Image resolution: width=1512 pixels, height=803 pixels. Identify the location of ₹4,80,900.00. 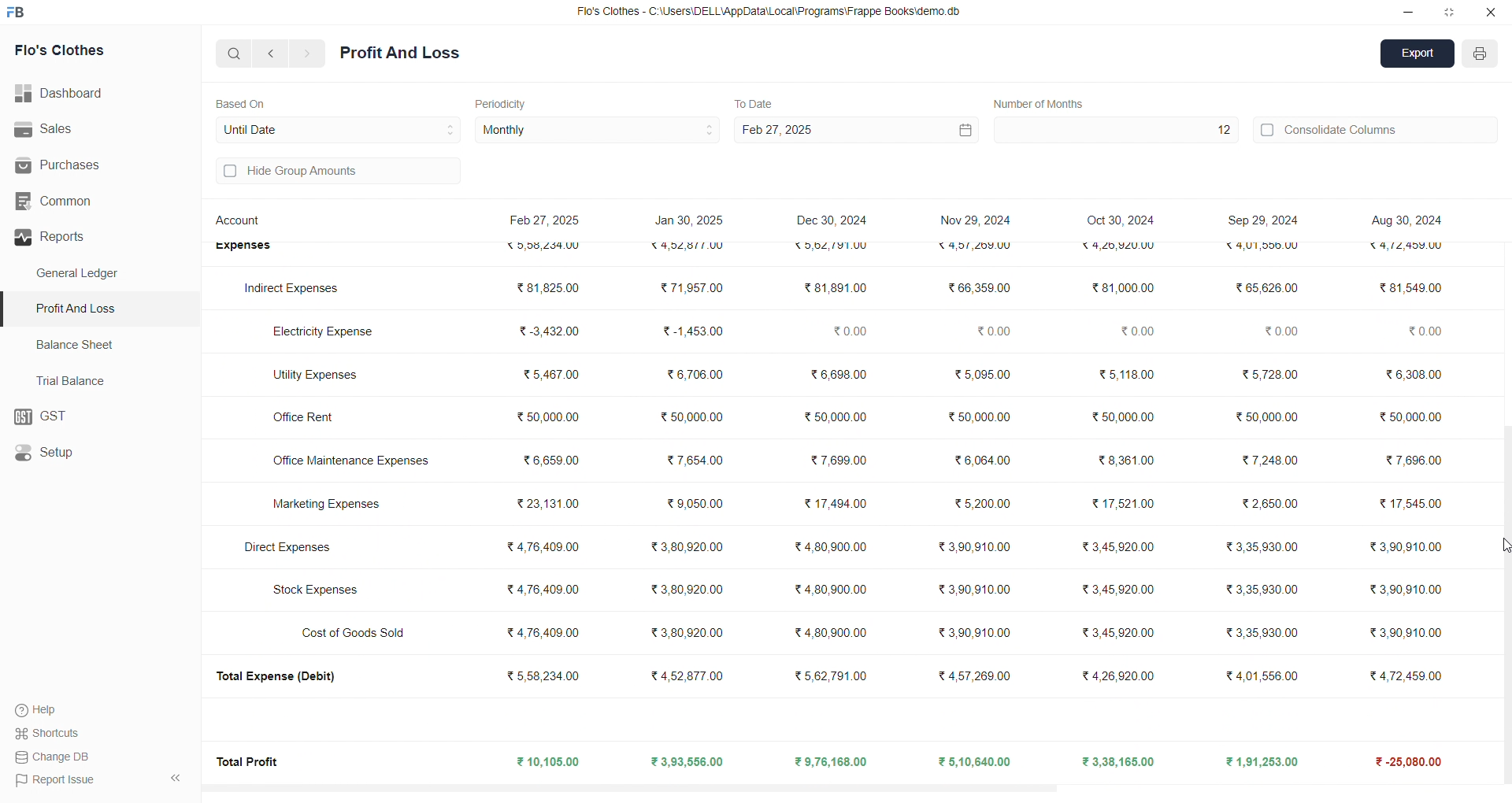
(832, 633).